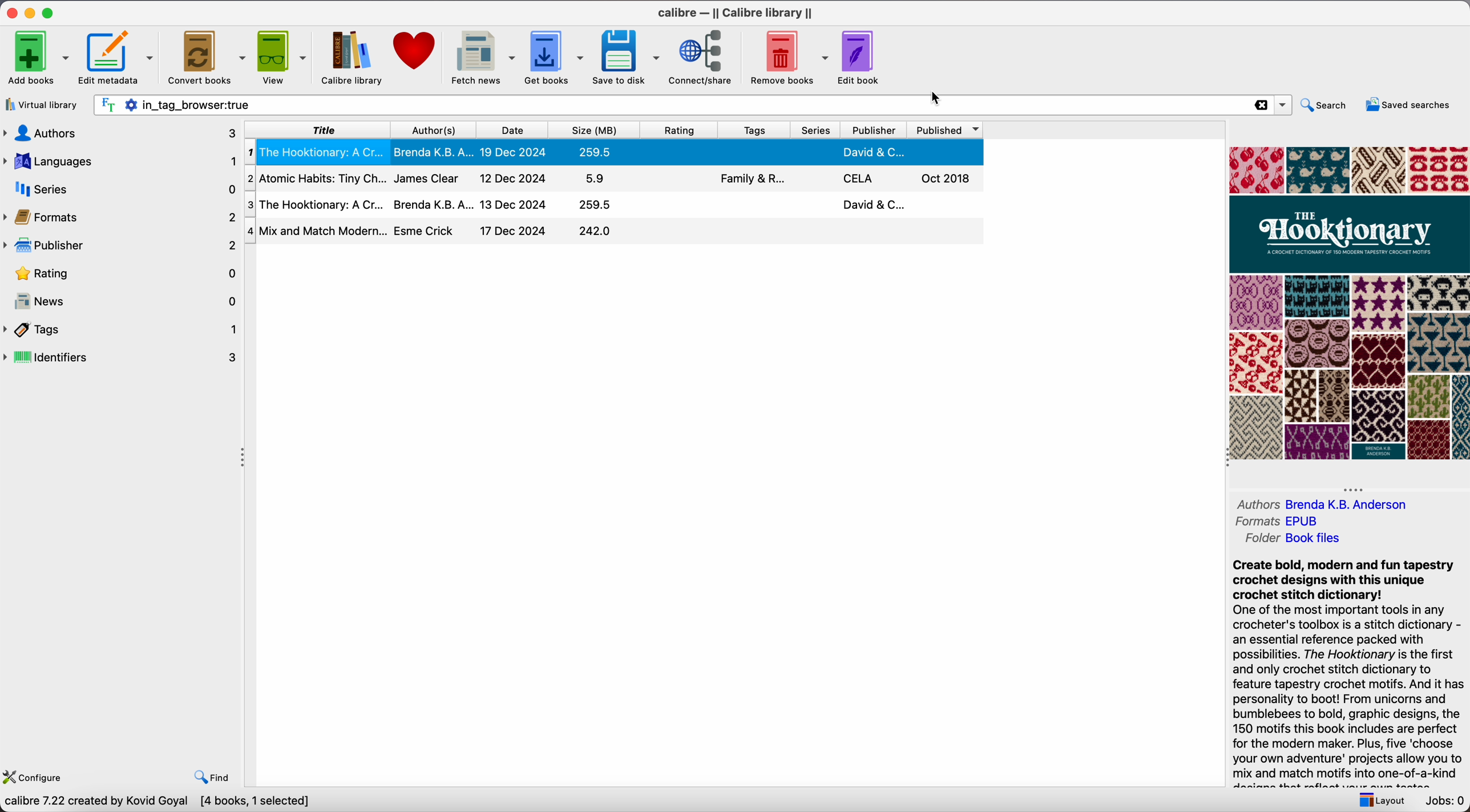 The height and width of the screenshot is (812, 1470). What do you see at coordinates (597, 128) in the screenshot?
I see `size` at bounding box center [597, 128].